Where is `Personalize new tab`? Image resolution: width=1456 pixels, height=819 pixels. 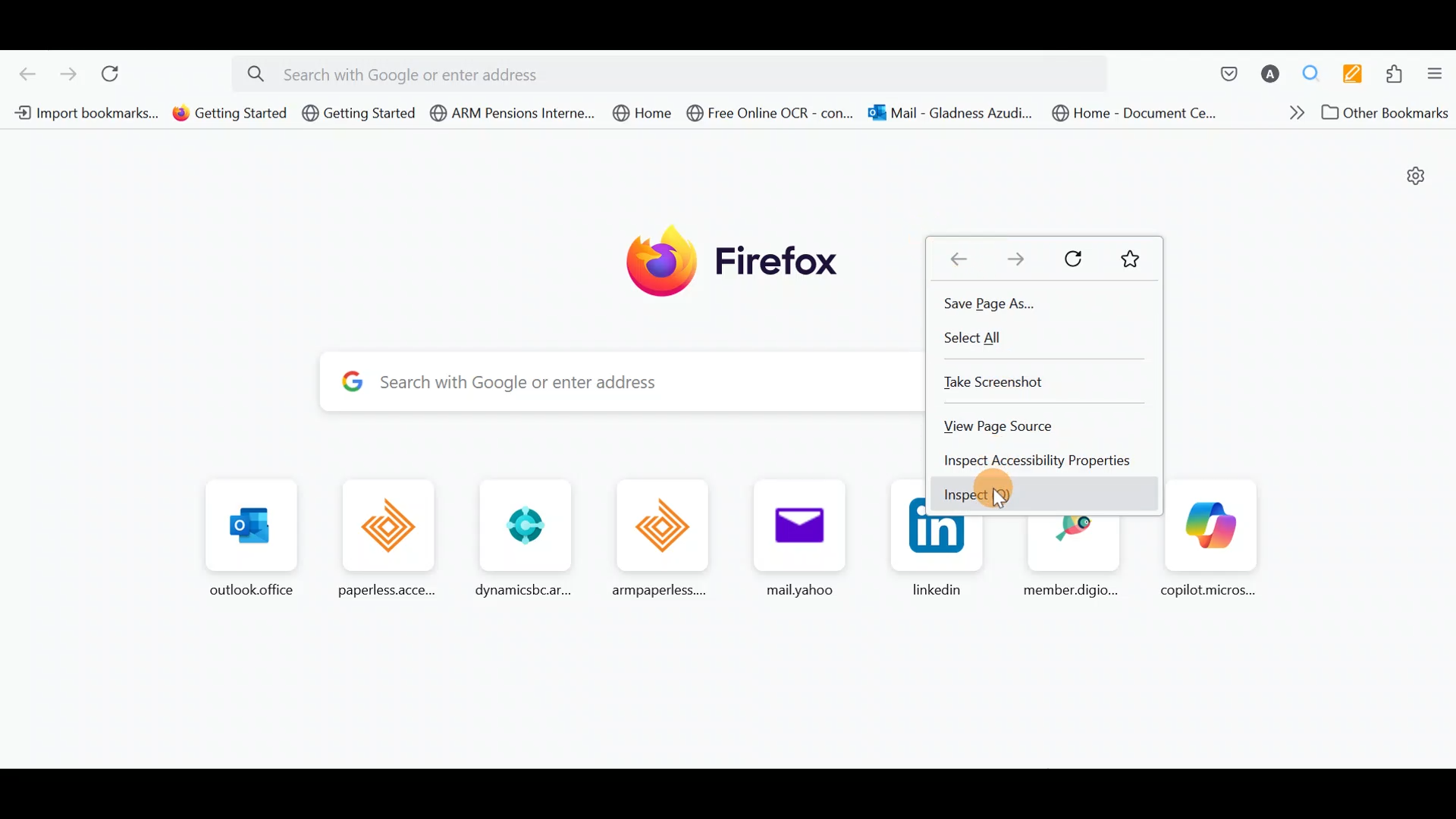
Personalize new tab is located at coordinates (1411, 178).